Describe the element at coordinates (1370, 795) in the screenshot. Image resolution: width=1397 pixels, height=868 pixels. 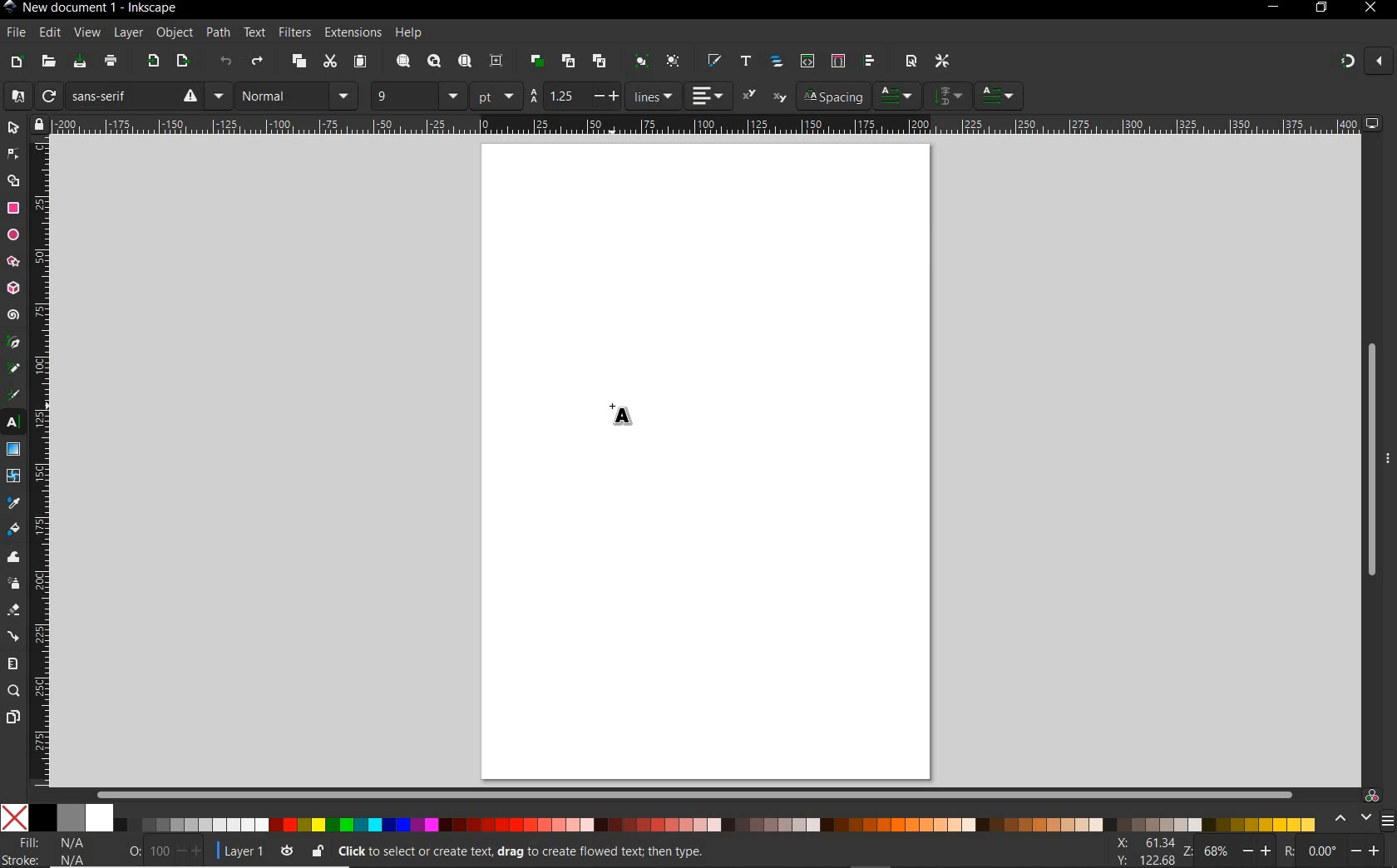
I see `color managed mode` at that location.